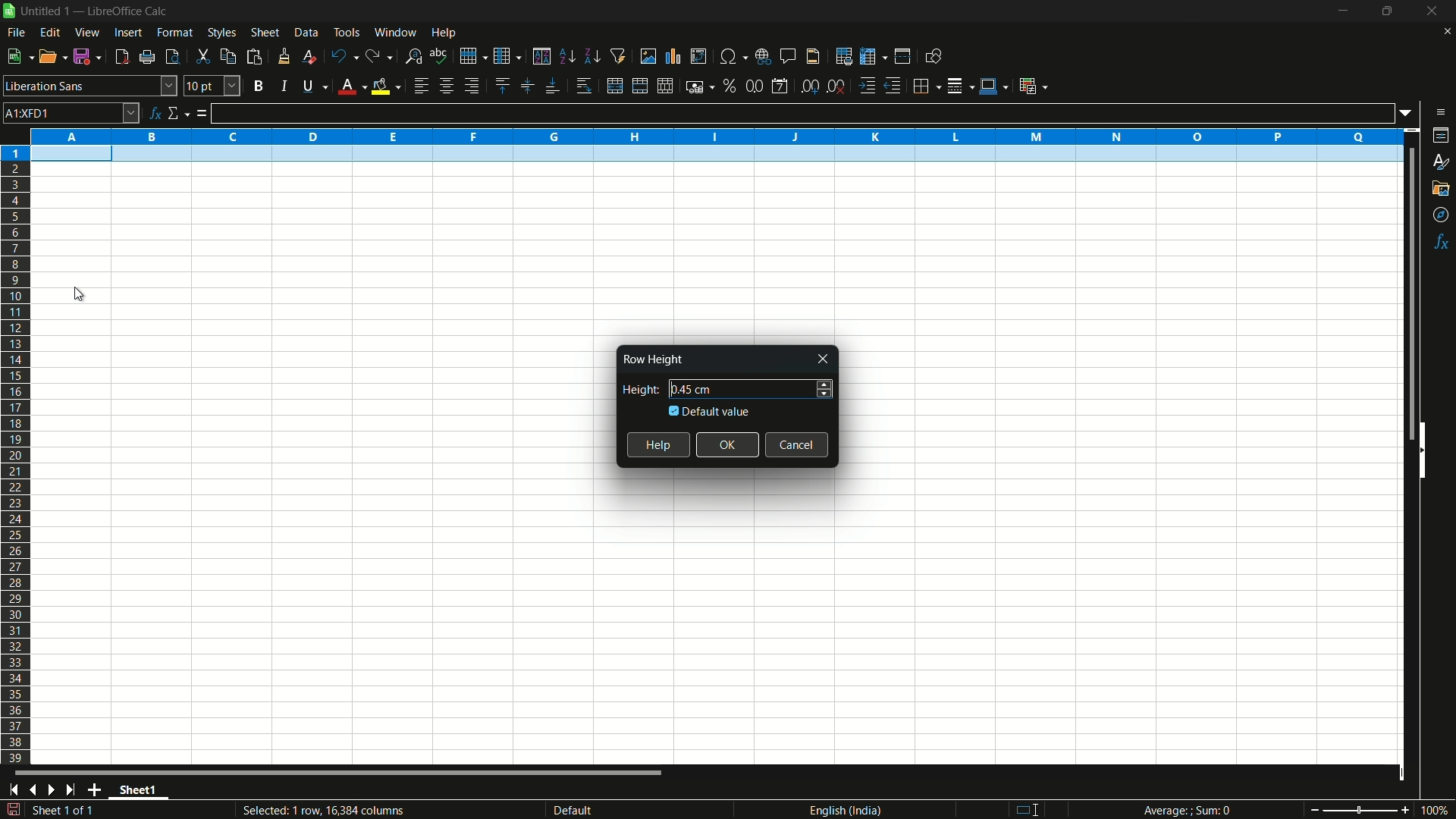  What do you see at coordinates (927, 84) in the screenshot?
I see `borders` at bounding box center [927, 84].